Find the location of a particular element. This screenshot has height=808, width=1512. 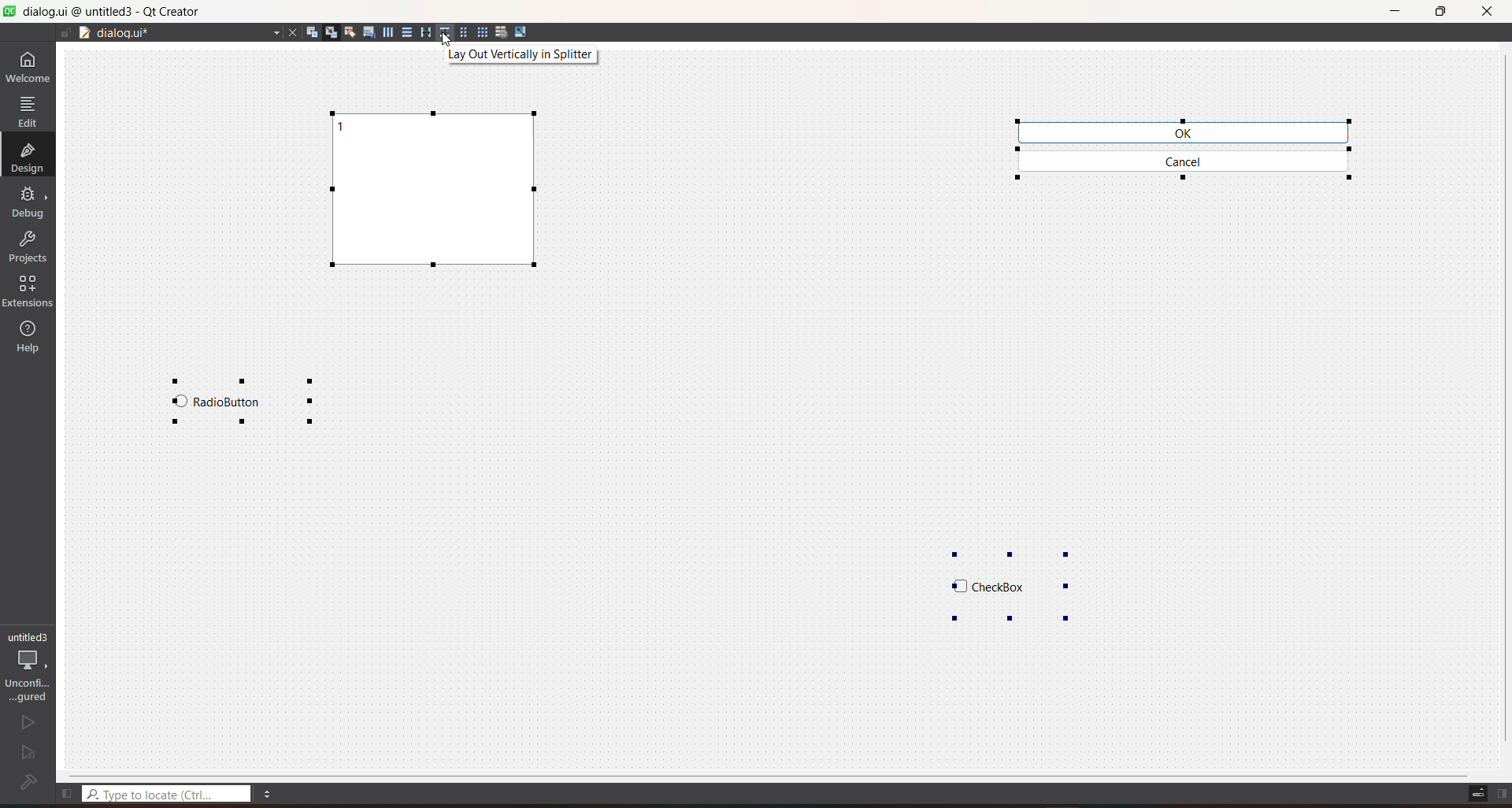

edit tab order is located at coordinates (369, 35).